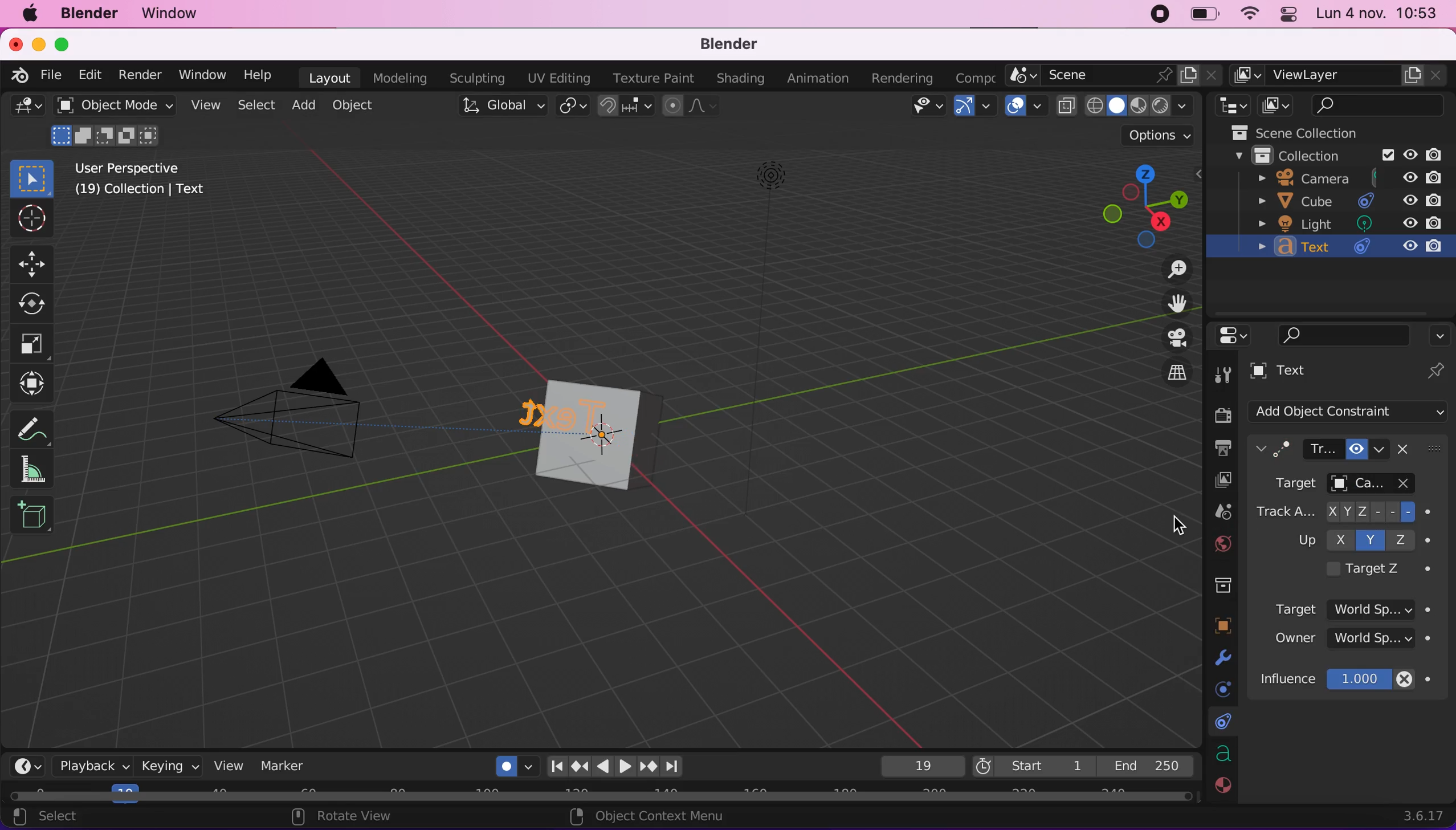 The height and width of the screenshot is (830, 1456). I want to click on overlays, so click(1023, 105).